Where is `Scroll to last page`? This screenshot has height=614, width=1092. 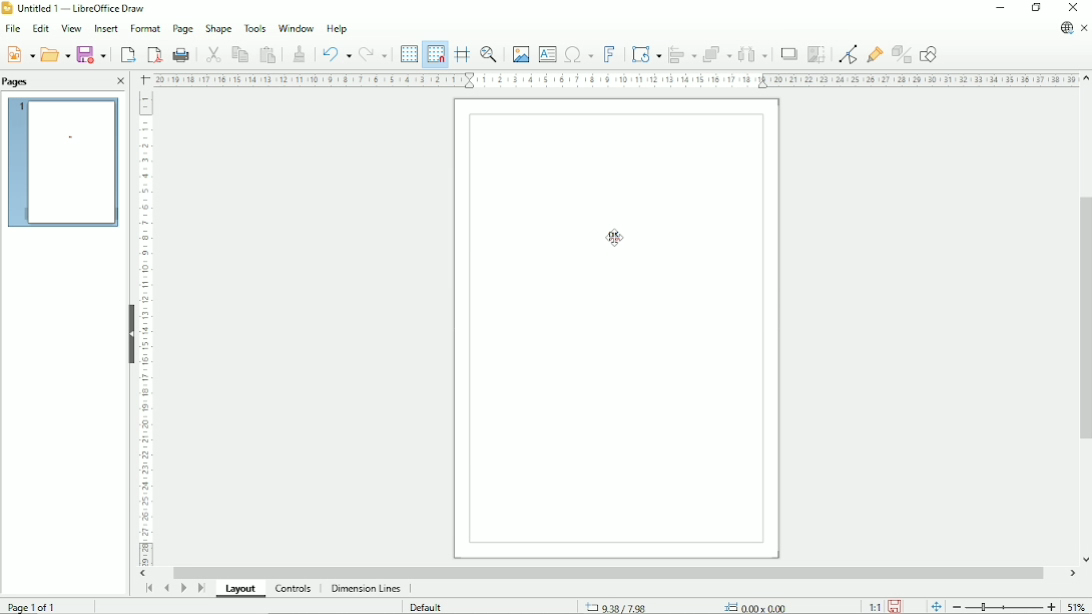 Scroll to last page is located at coordinates (201, 588).